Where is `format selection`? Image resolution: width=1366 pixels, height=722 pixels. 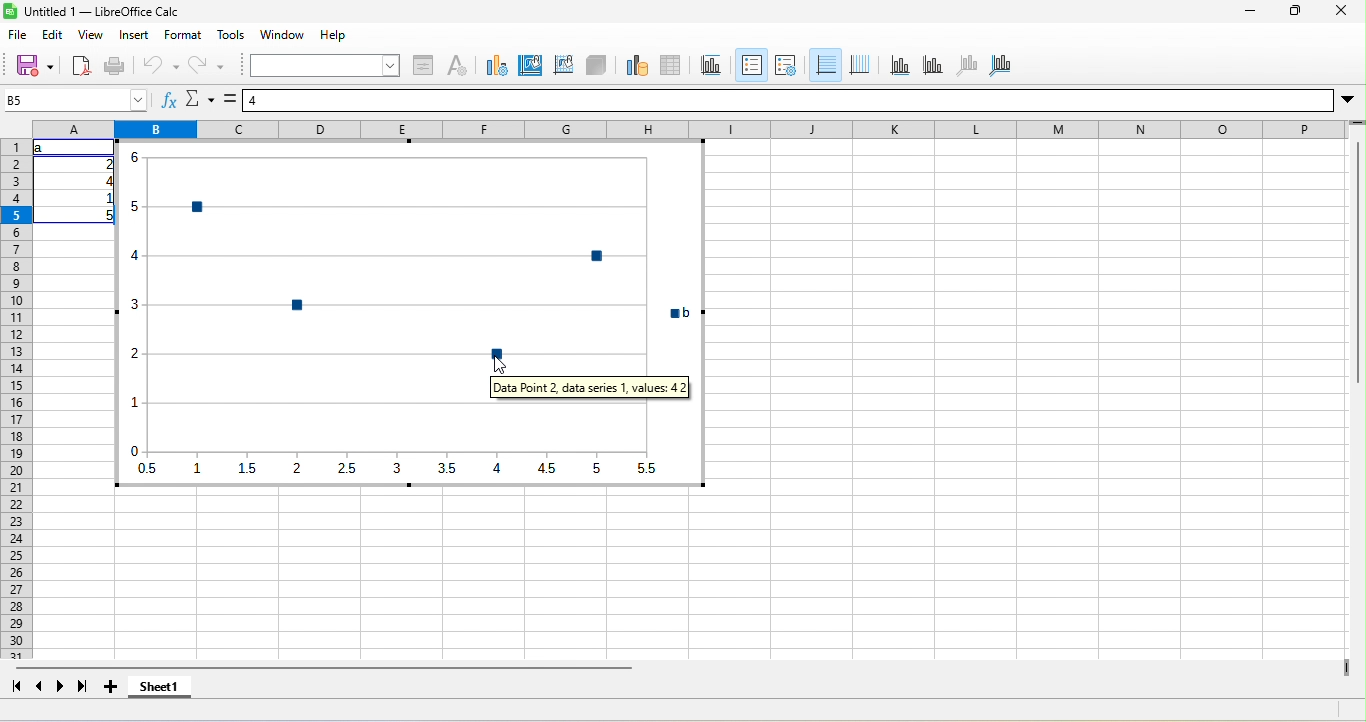 format selection is located at coordinates (423, 67).